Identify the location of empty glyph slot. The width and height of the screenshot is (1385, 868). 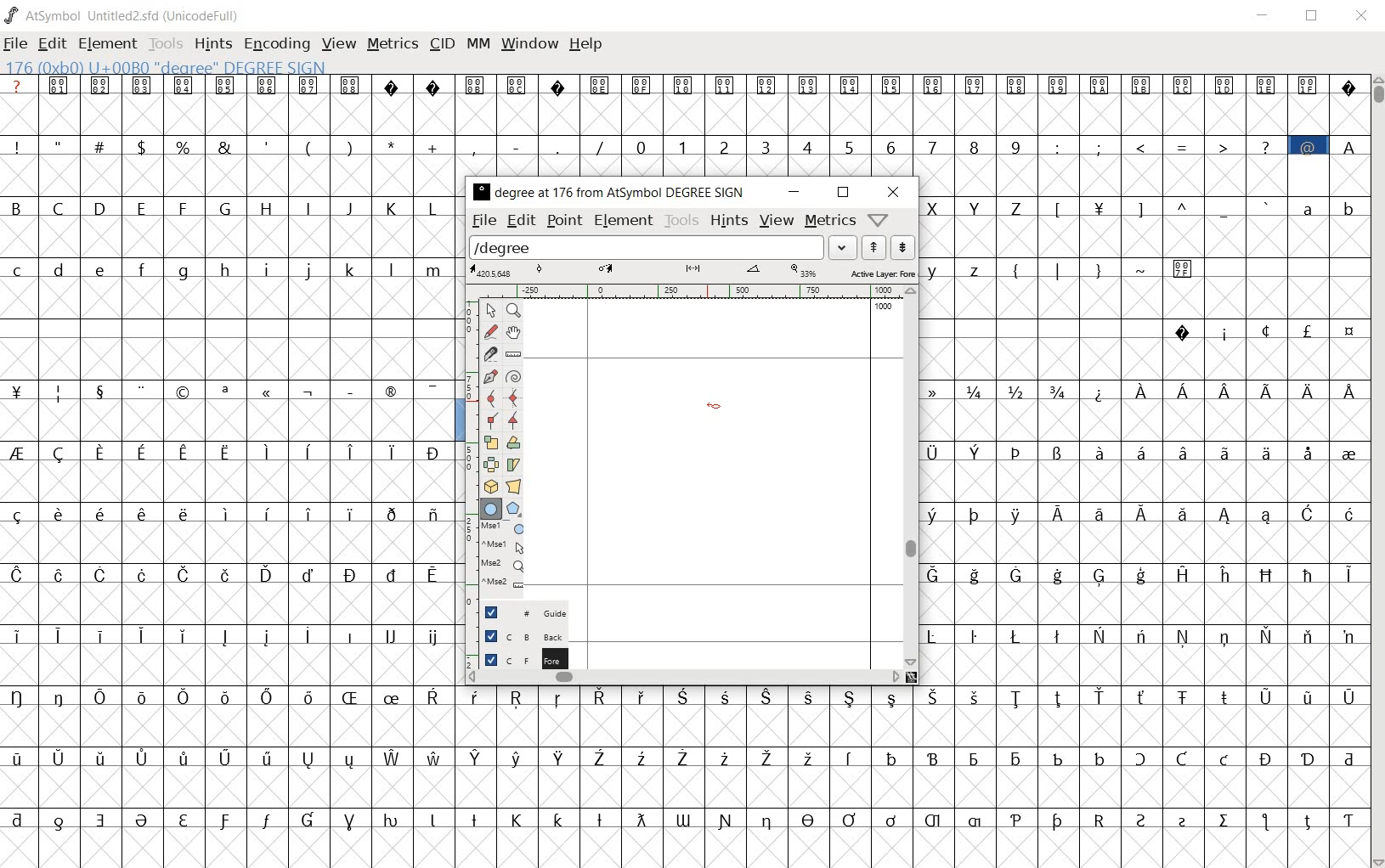
(229, 786).